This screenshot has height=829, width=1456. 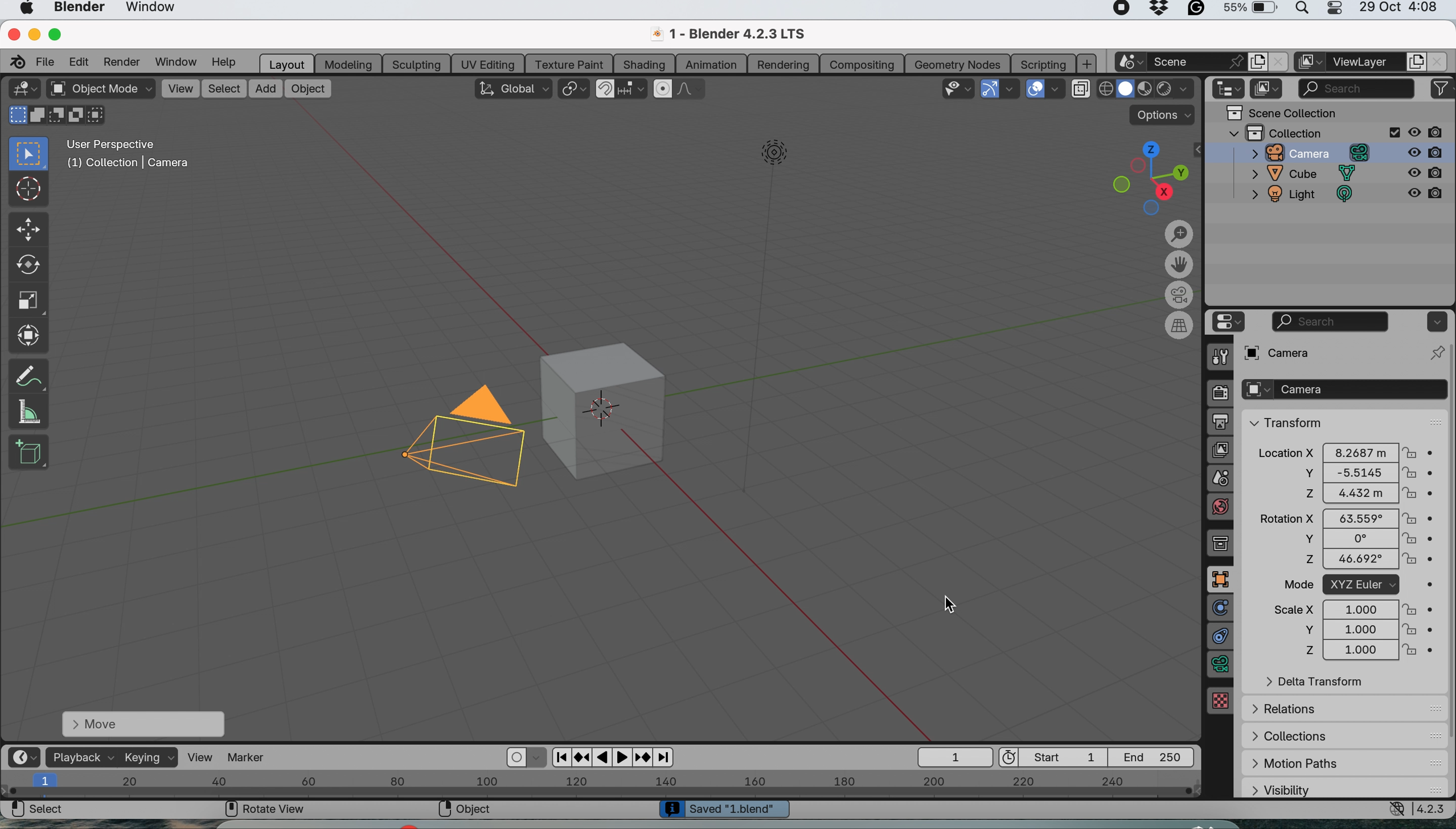 What do you see at coordinates (1196, 61) in the screenshot?
I see `scene` at bounding box center [1196, 61].